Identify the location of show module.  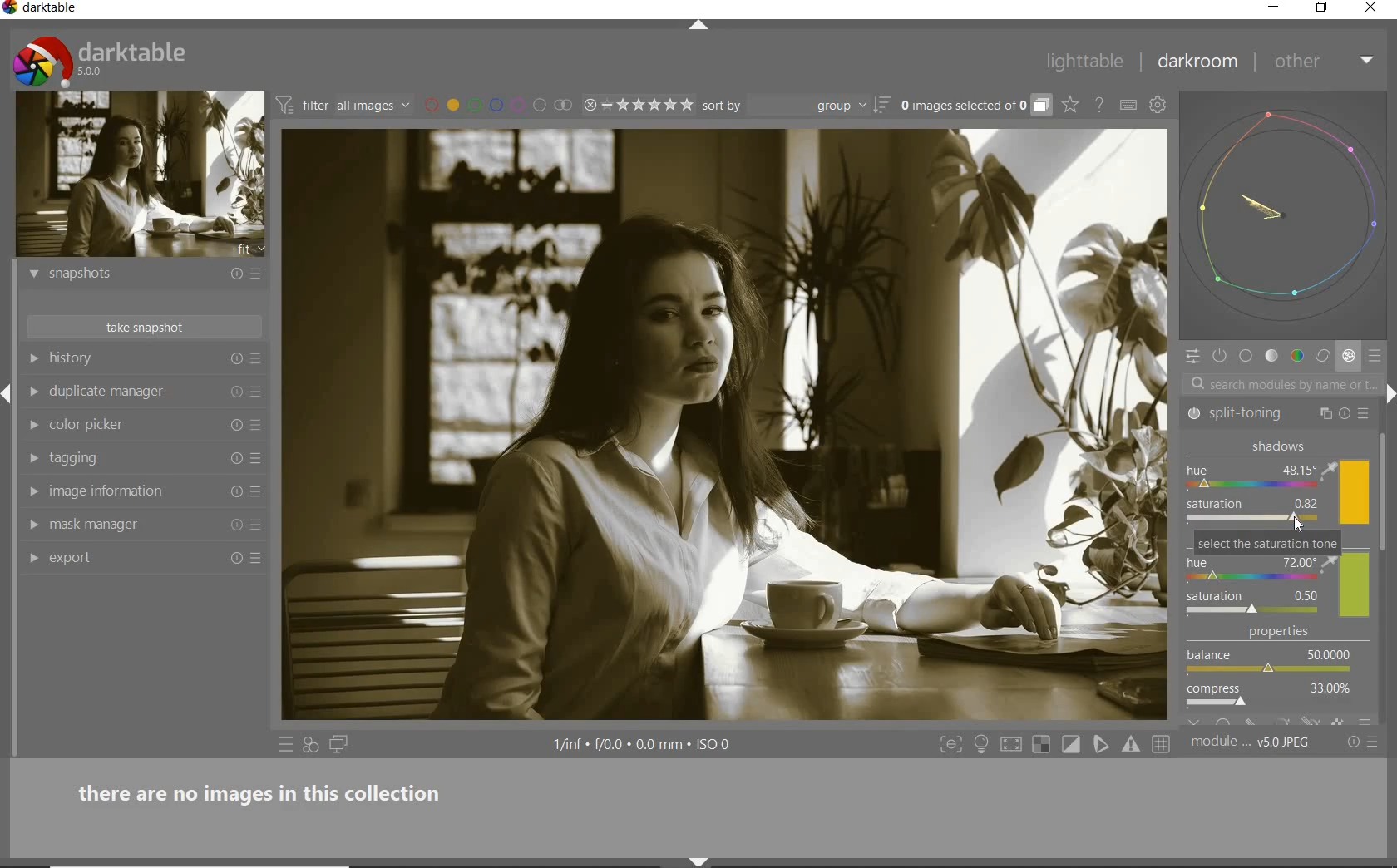
(31, 459).